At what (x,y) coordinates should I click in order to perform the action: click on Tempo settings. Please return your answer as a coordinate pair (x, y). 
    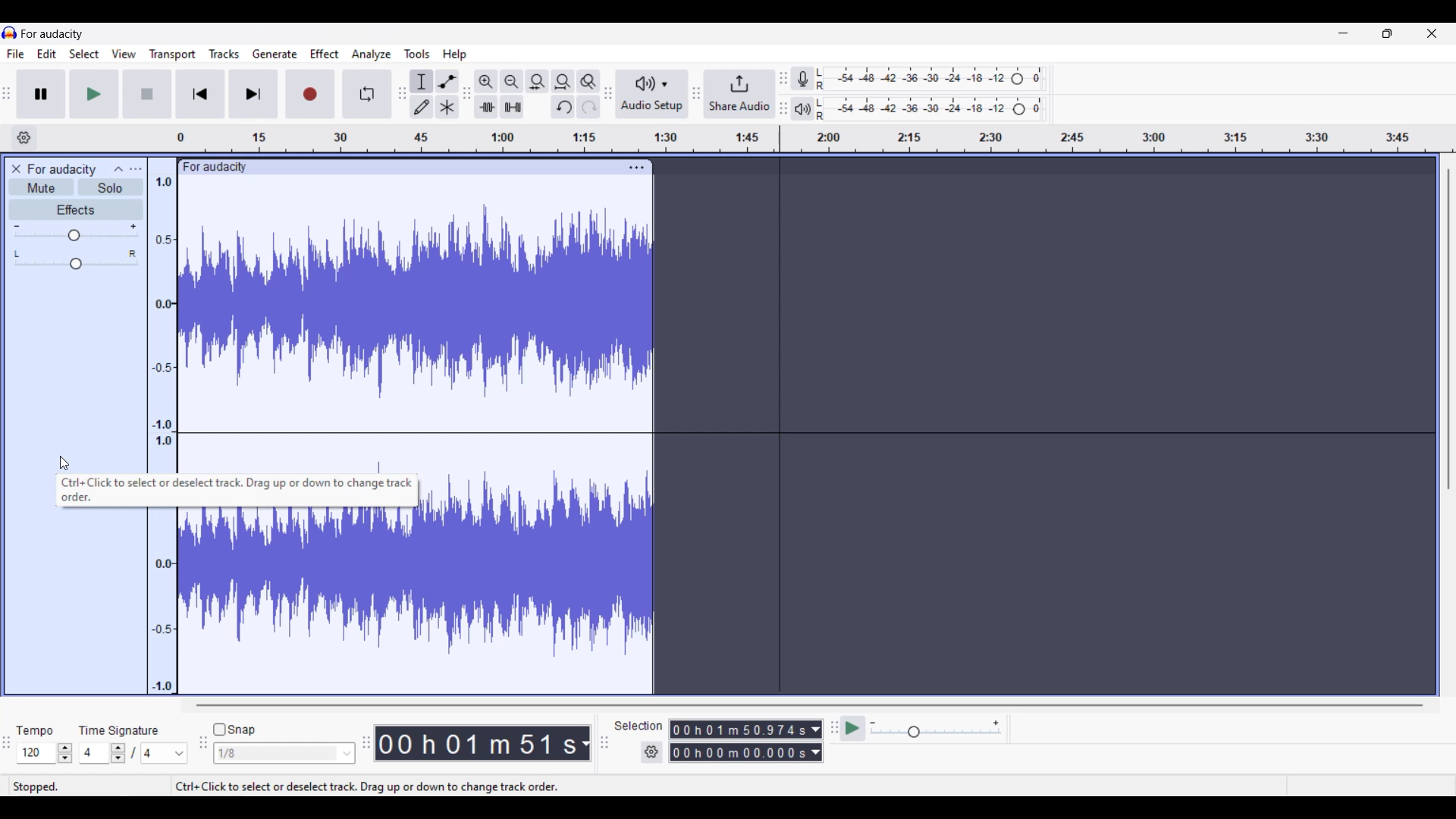
    Looking at the image, I should click on (44, 753).